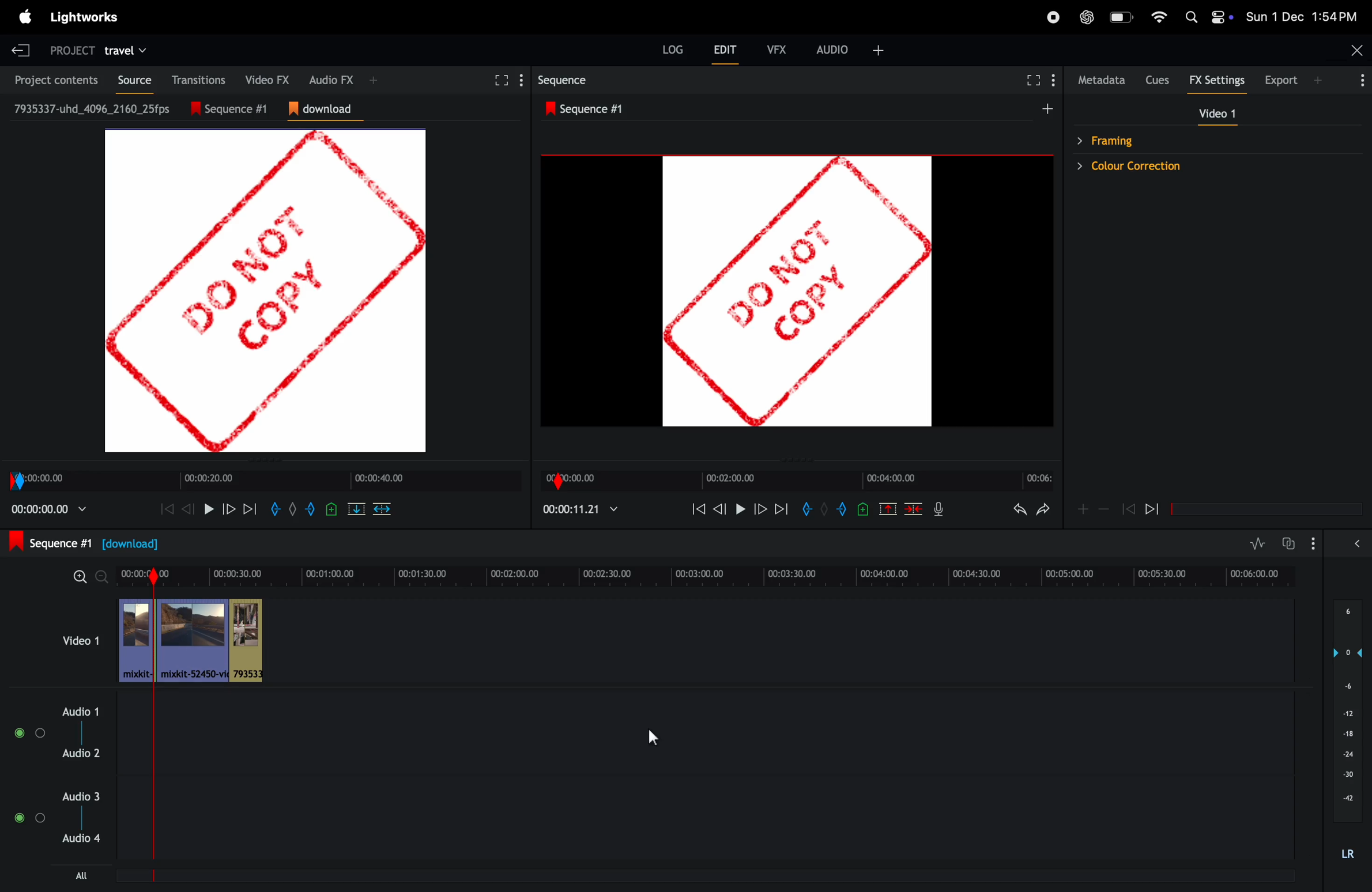 The height and width of the screenshot is (892, 1372). Describe the element at coordinates (833, 50) in the screenshot. I see `audio +` at that location.